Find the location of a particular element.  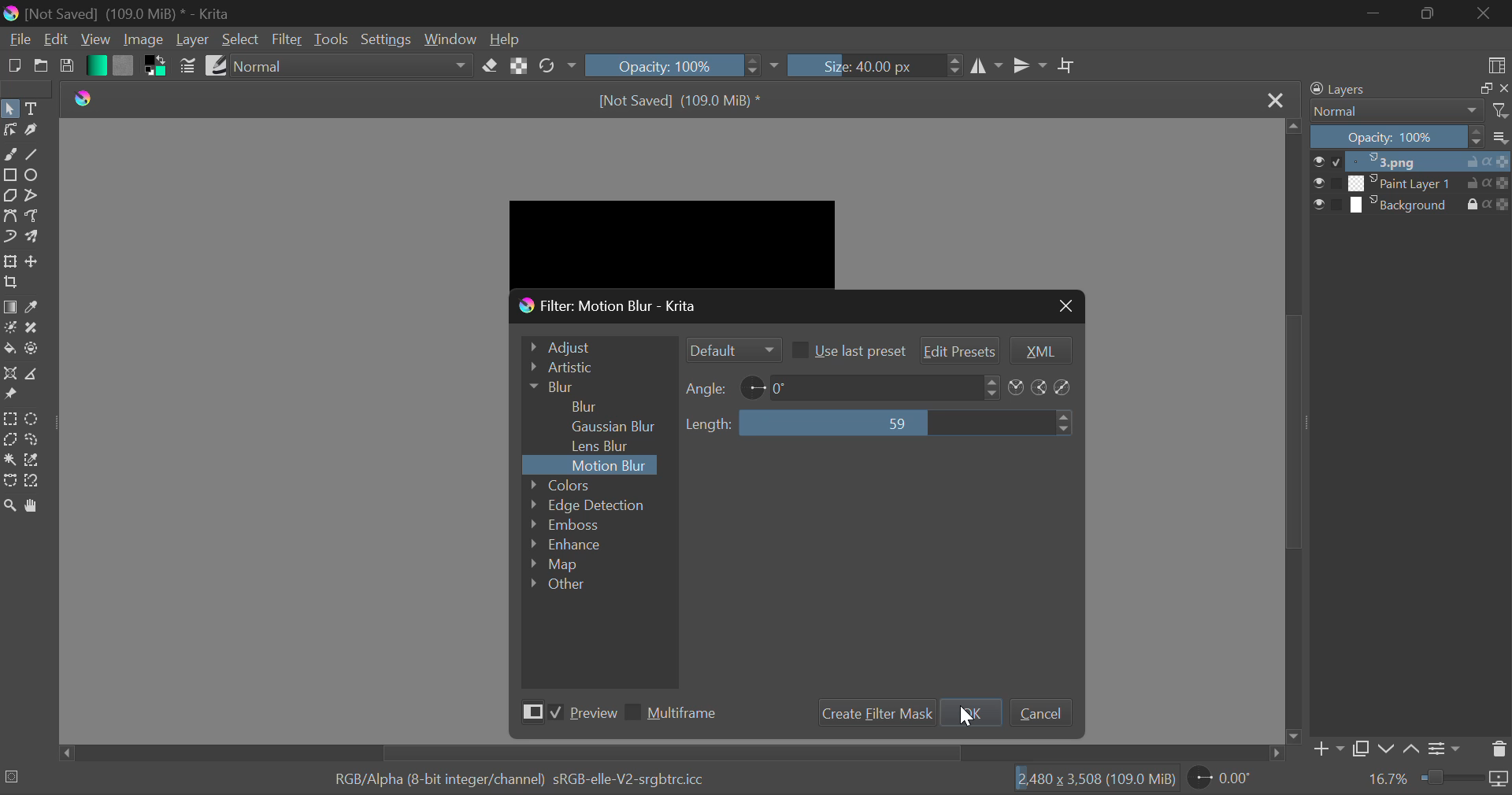

Multibrush is located at coordinates (35, 238).